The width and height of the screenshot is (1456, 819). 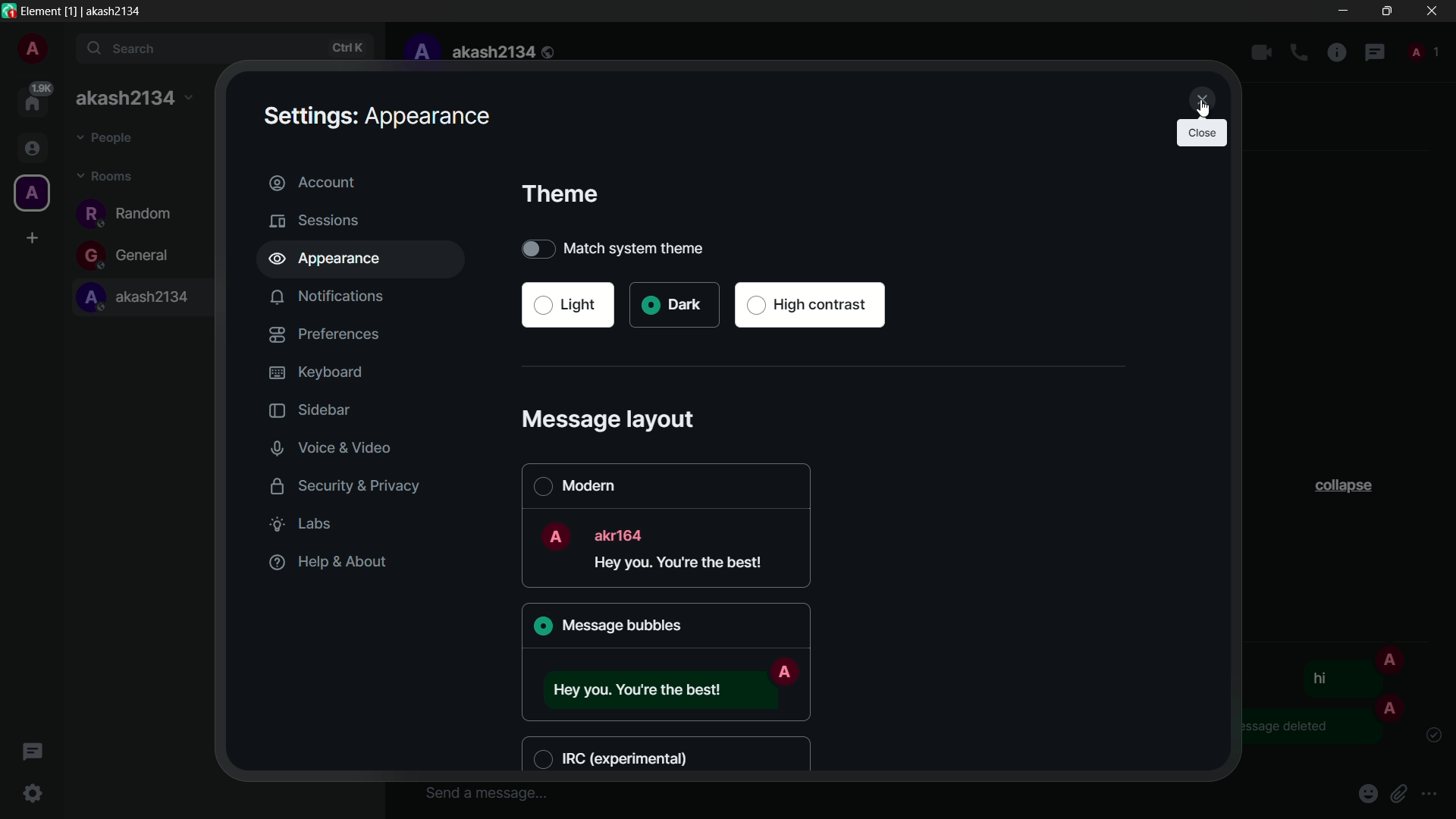 I want to click on Settings: Appearance, so click(x=375, y=116).